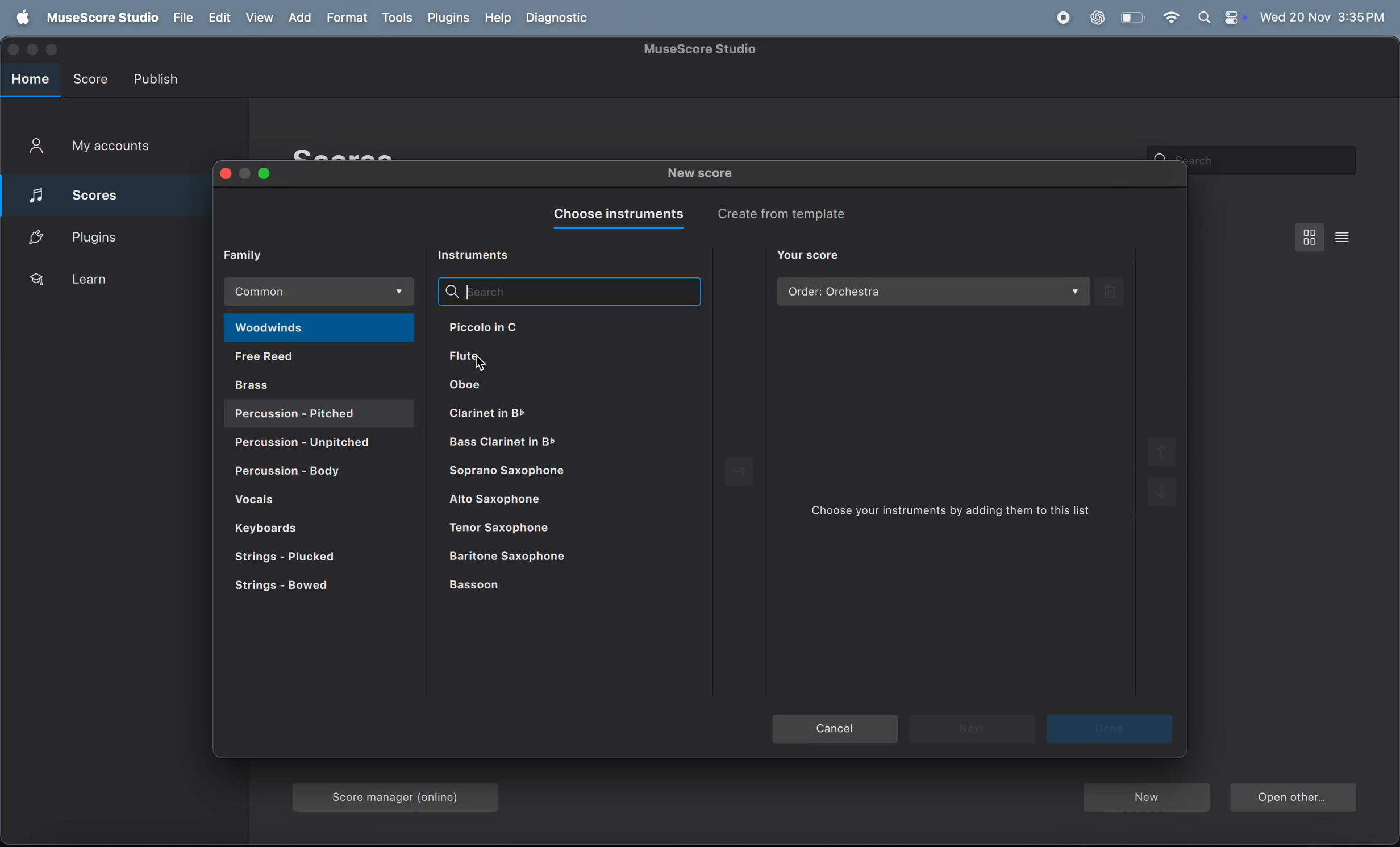 This screenshot has height=847, width=1400. What do you see at coordinates (252, 254) in the screenshot?
I see `family` at bounding box center [252, 254].